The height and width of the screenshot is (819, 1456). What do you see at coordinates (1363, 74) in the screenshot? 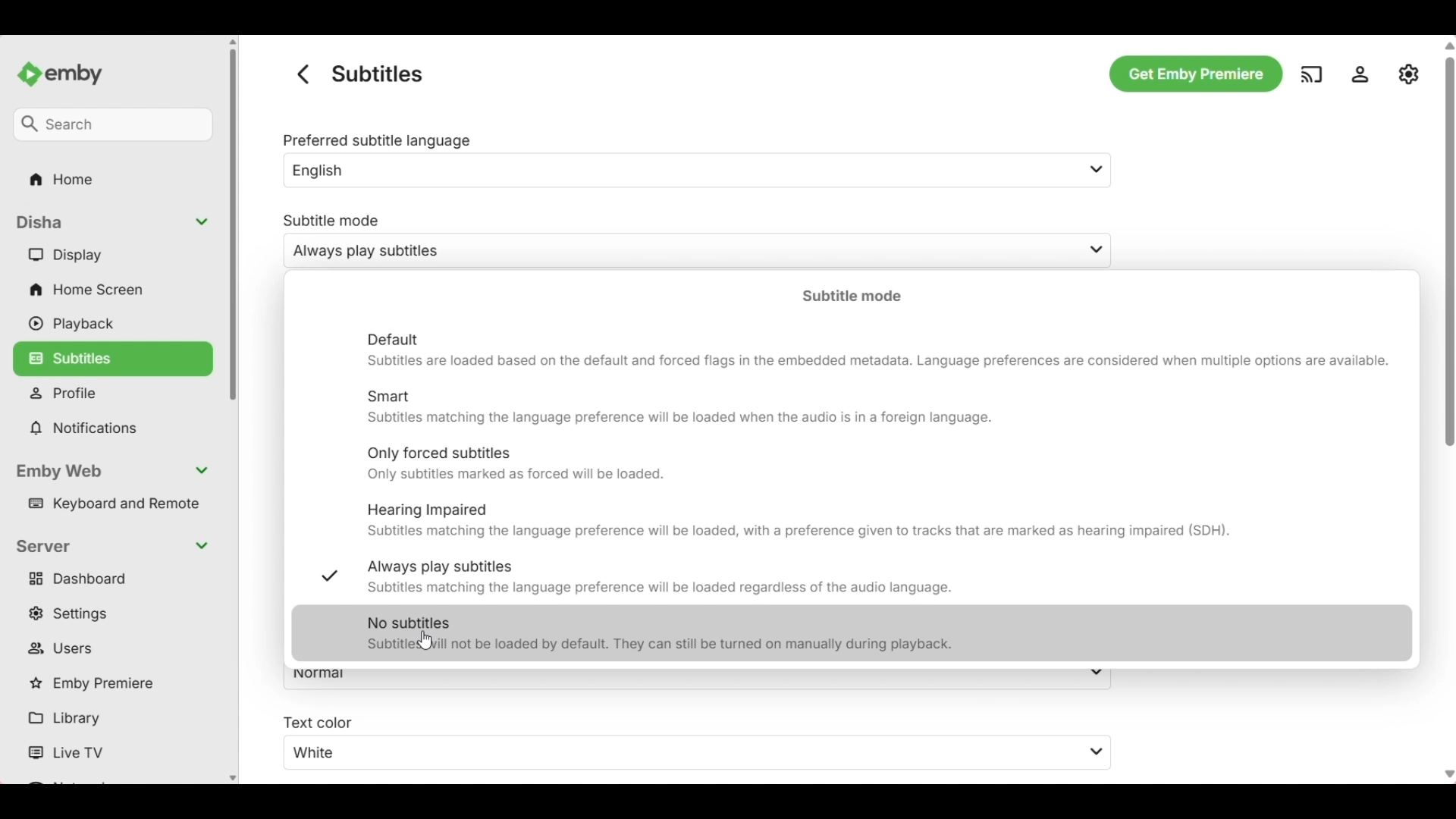
I see `` at bounding box center [1363, 74].